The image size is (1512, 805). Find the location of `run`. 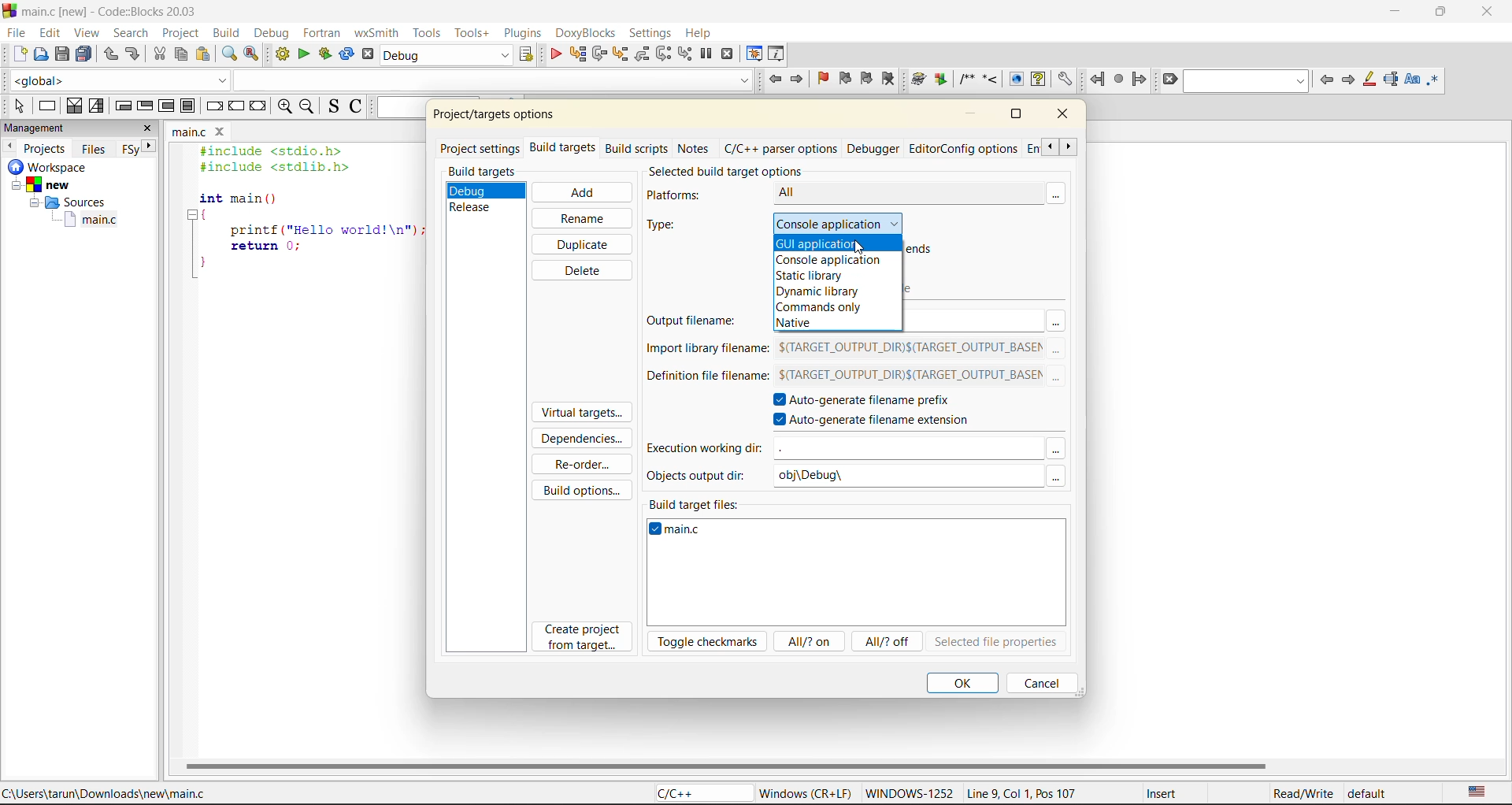

run is located at coordinates (305, 53).